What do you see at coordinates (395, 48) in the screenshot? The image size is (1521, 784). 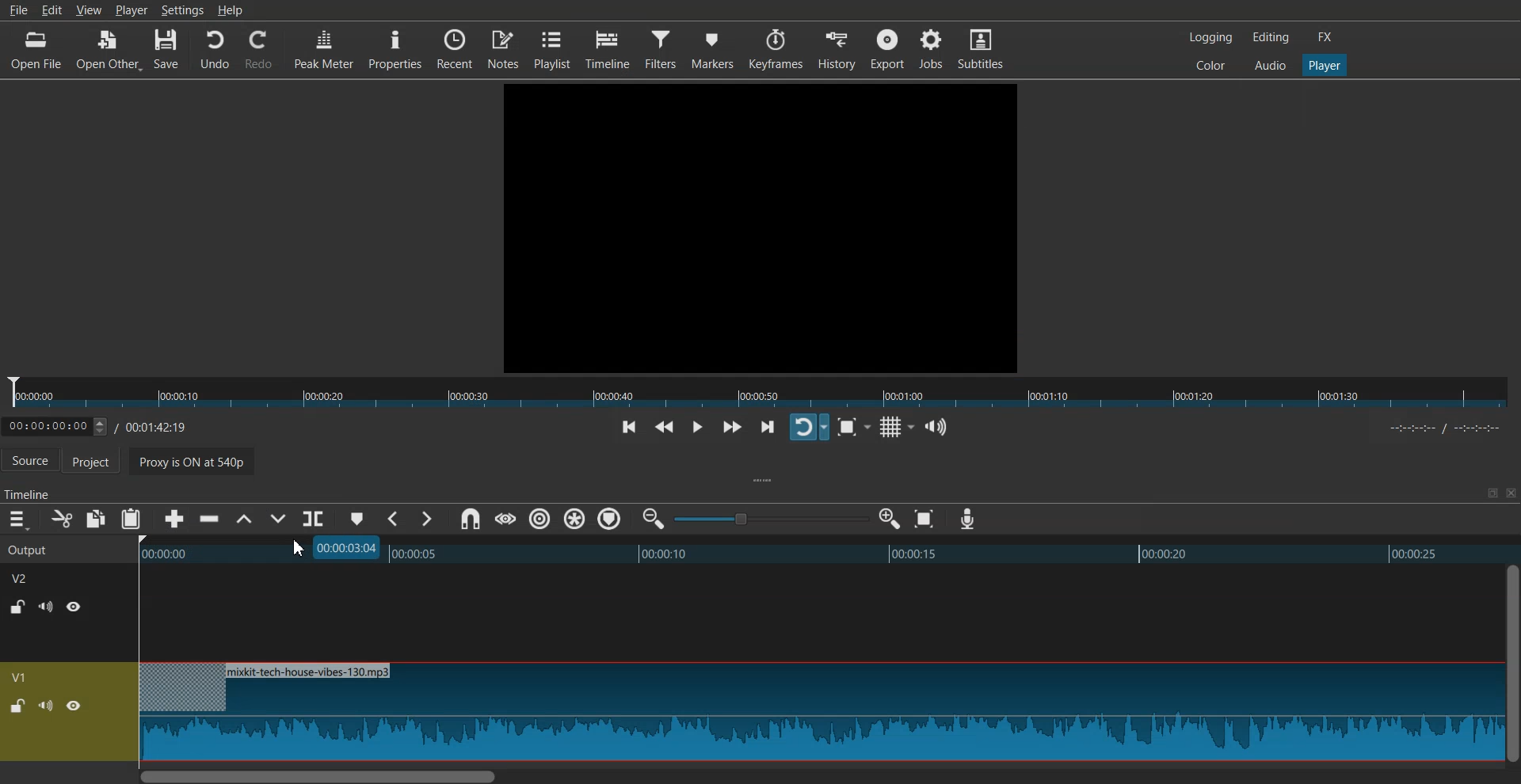 I see `Properties` at bounding box center [395, 48].